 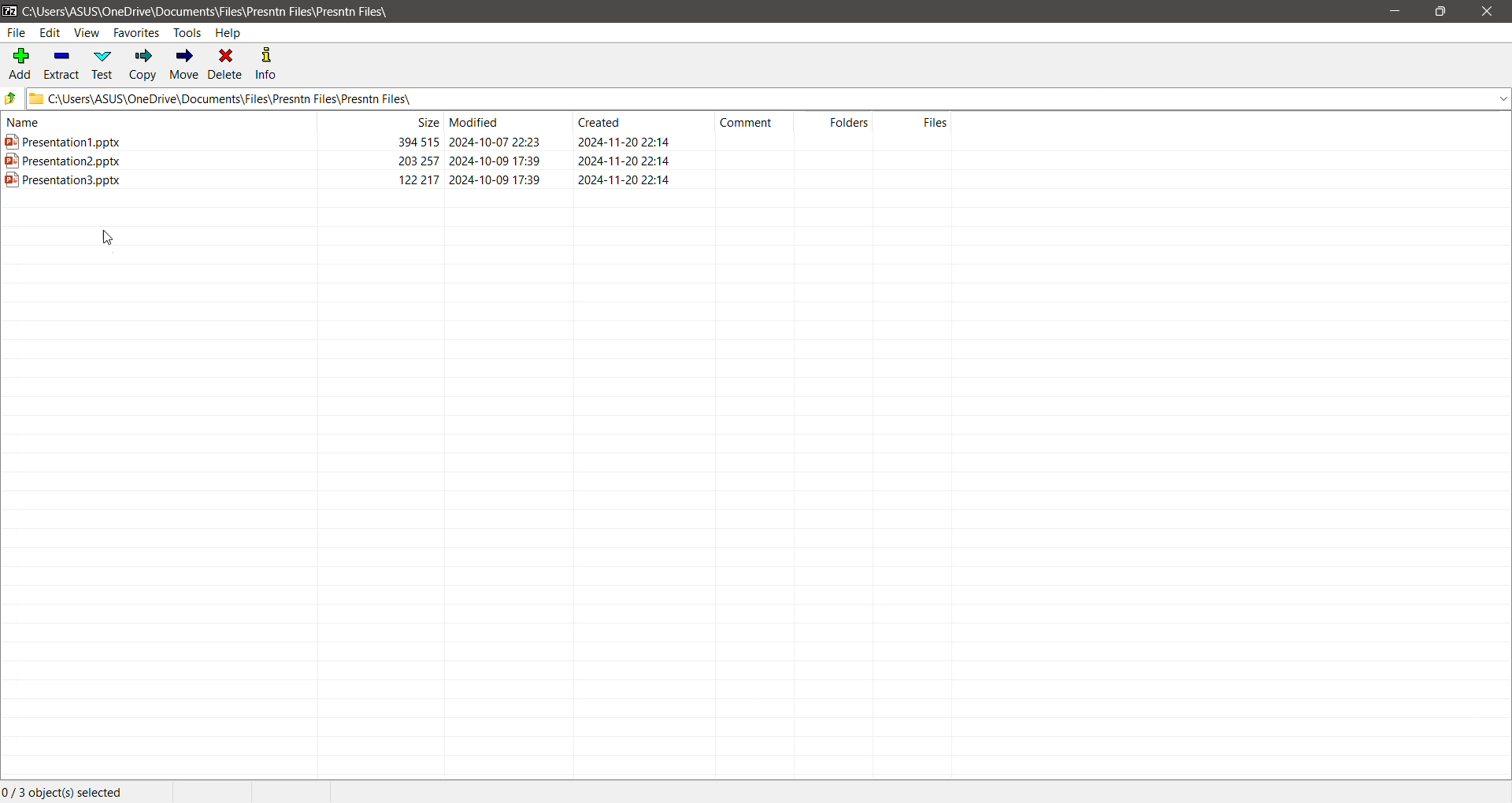 I want to click on comment, so click(x=747, y=123).